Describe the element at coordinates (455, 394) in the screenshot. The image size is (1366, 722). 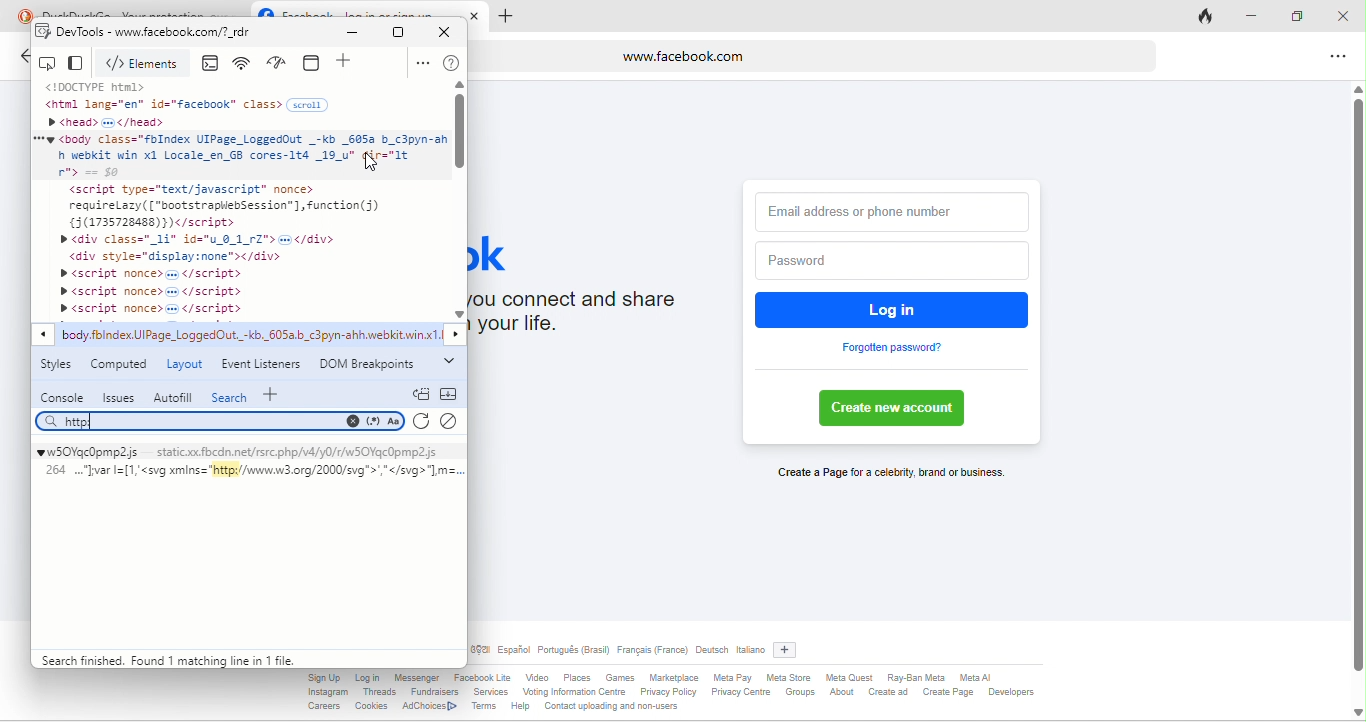
I see `collapse` at that location.